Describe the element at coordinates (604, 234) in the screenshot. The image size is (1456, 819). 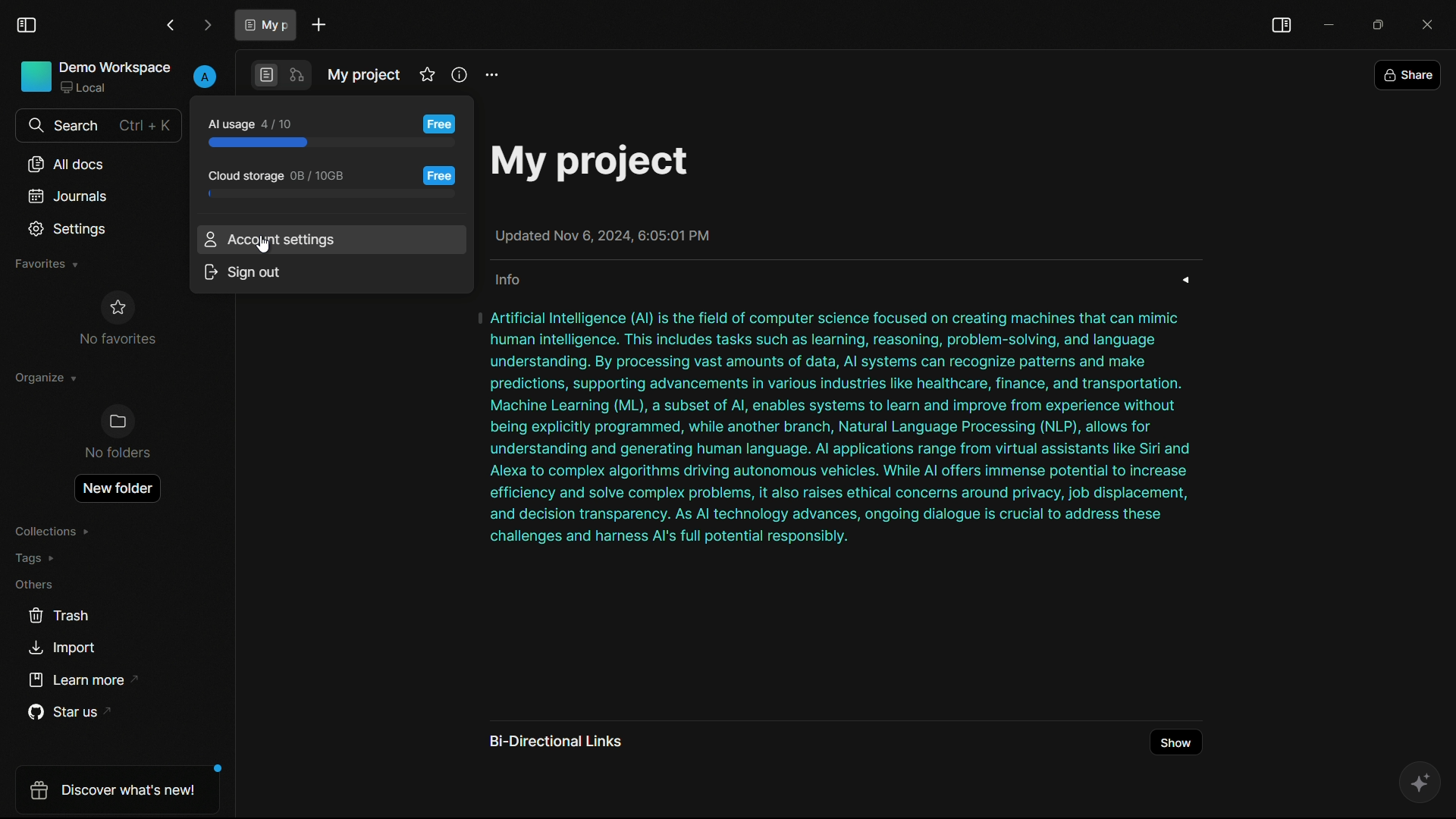
I see `Updated Nov 6, 2024, 6:05:01 PM` at that location.